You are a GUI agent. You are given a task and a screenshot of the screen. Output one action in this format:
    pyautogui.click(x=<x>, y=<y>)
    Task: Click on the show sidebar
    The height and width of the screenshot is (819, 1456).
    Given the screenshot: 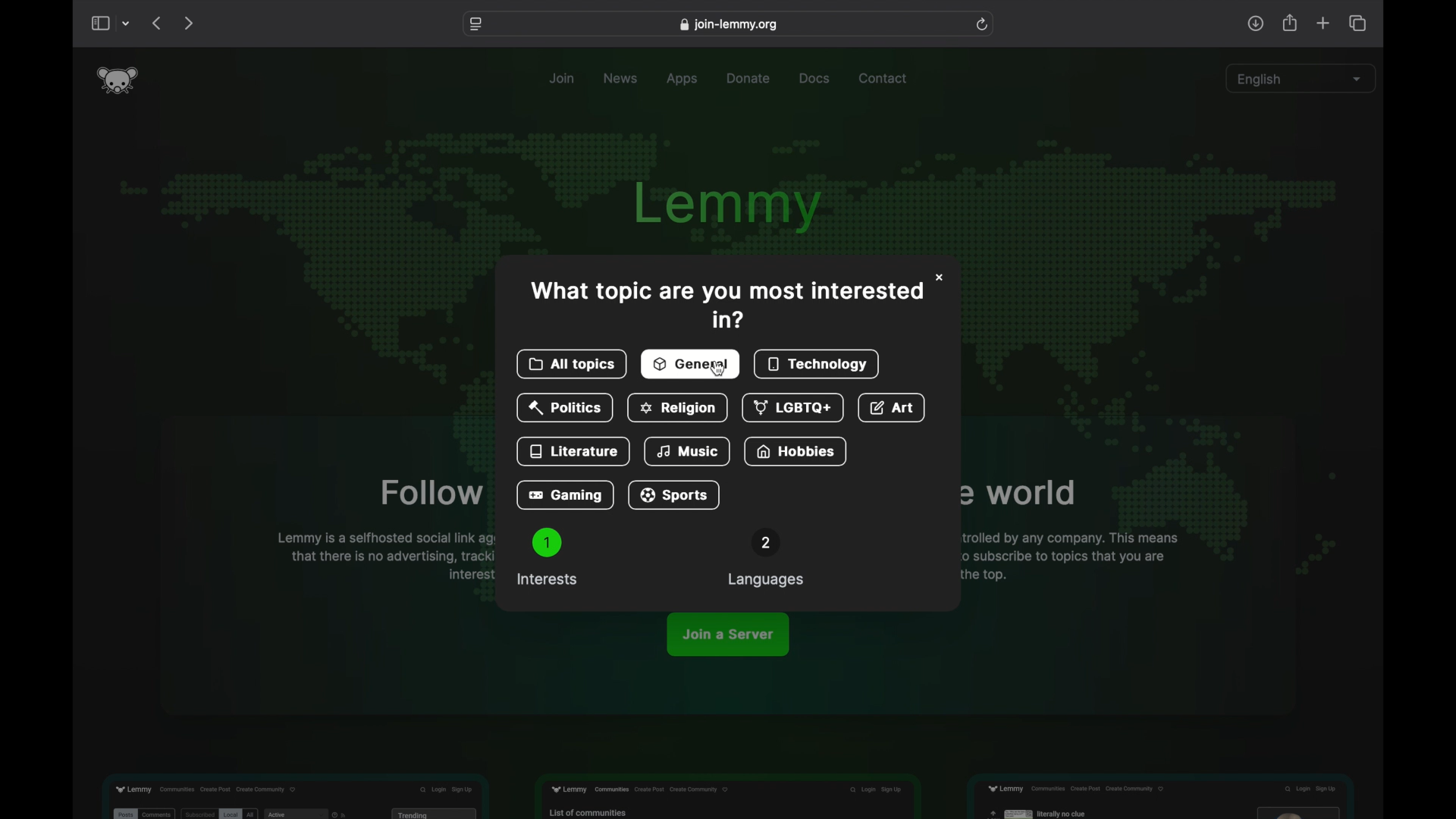 What is the action you would take?
    pyautogui.click(x=99, y=24)
    